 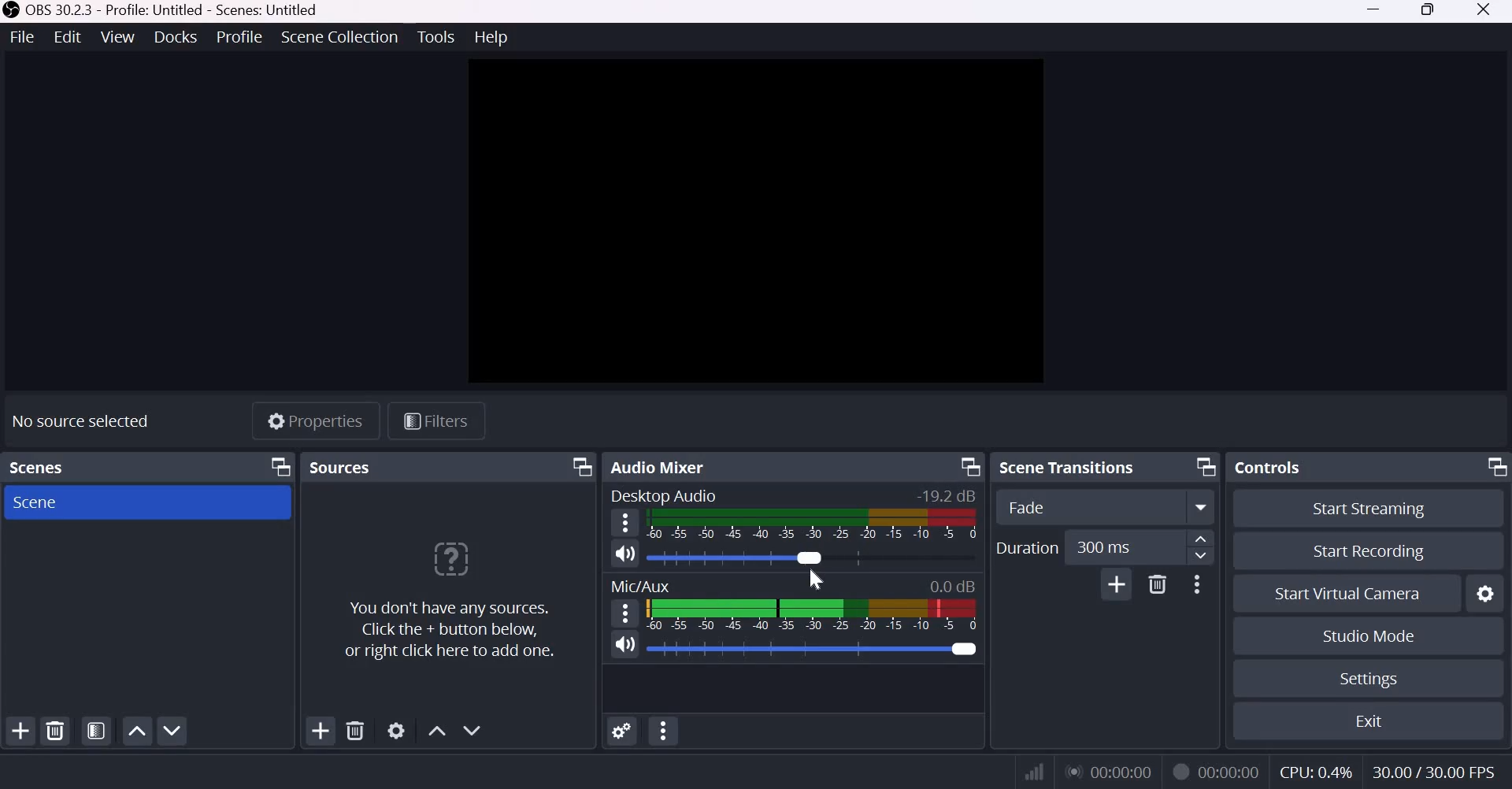 What do you see at coordinates (813, 614) in the screenshot?
I see `Volume Meter` at bounding box center [813, 614].